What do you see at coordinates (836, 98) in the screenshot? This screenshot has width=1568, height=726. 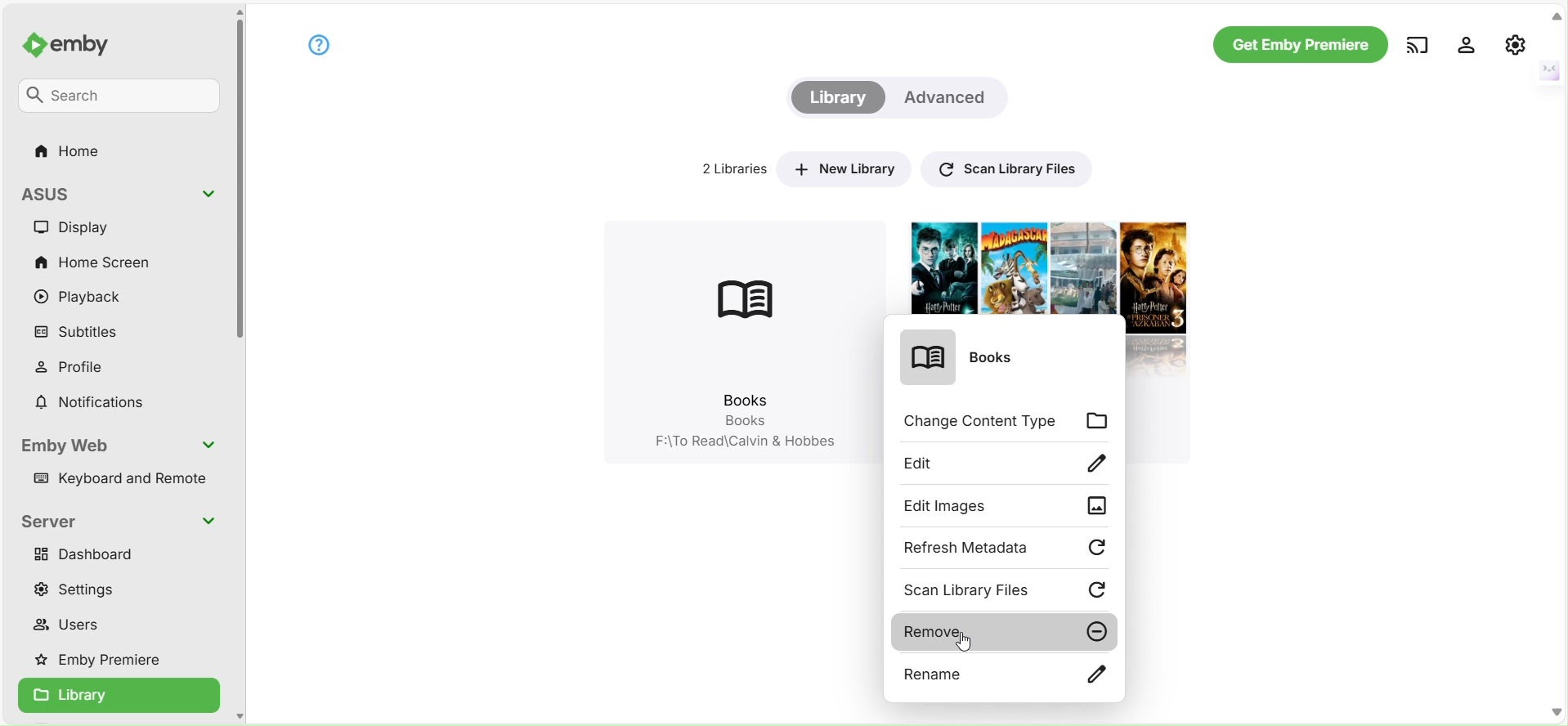 I see `Library` at bounding box center [836, 98].